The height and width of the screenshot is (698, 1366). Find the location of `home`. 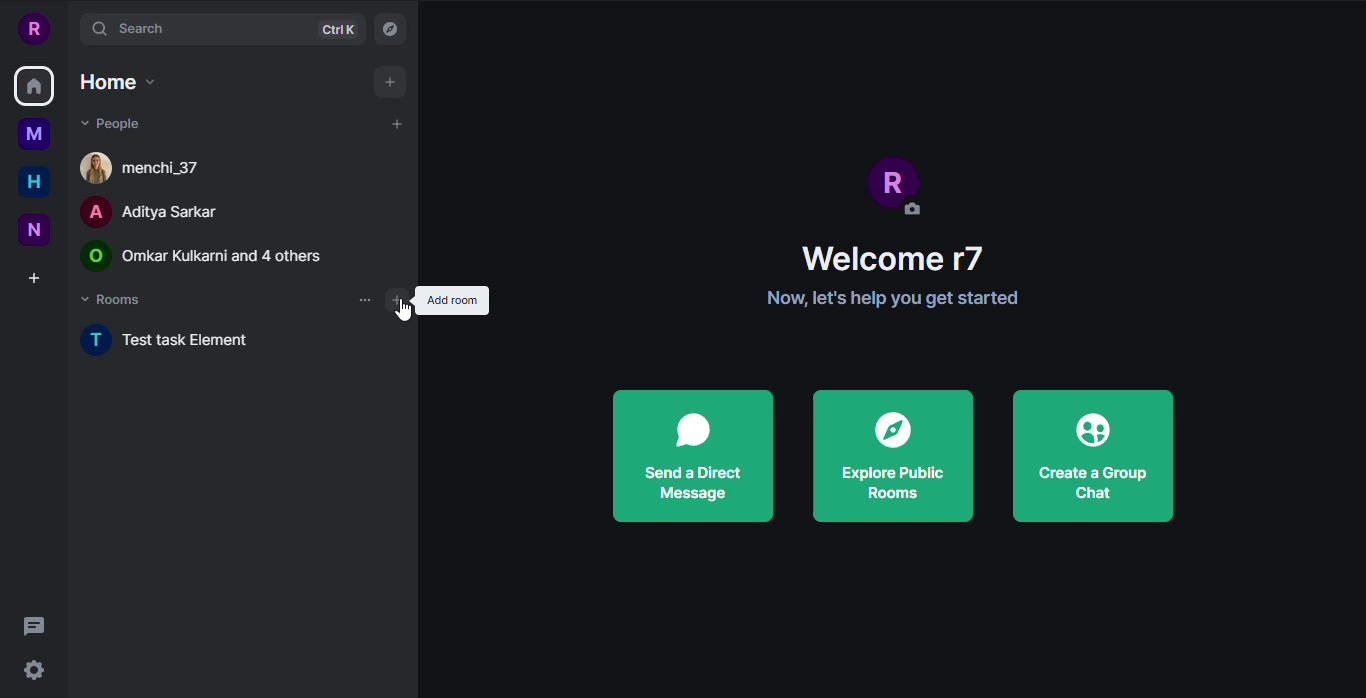

home is located at coordinates (34, 181).